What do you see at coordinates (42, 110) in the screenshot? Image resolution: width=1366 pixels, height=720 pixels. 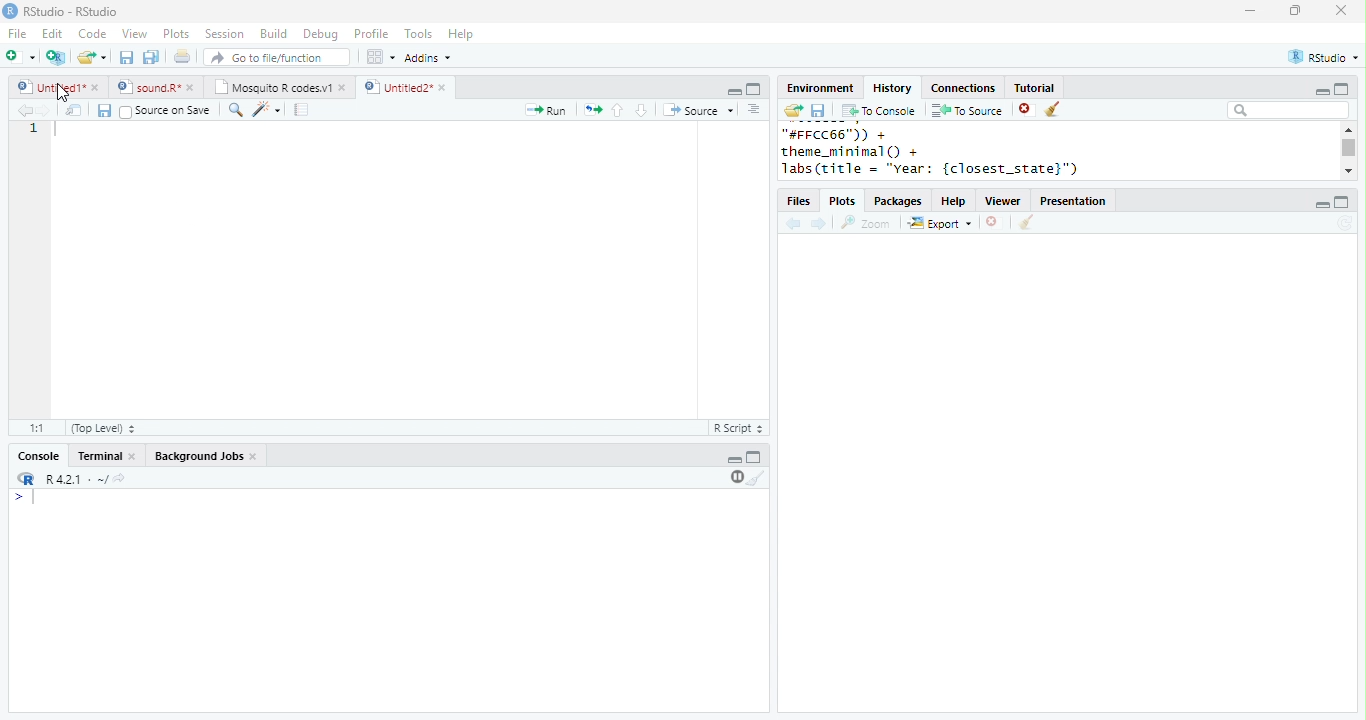 I see `forward` at bounding box center [42, 110].